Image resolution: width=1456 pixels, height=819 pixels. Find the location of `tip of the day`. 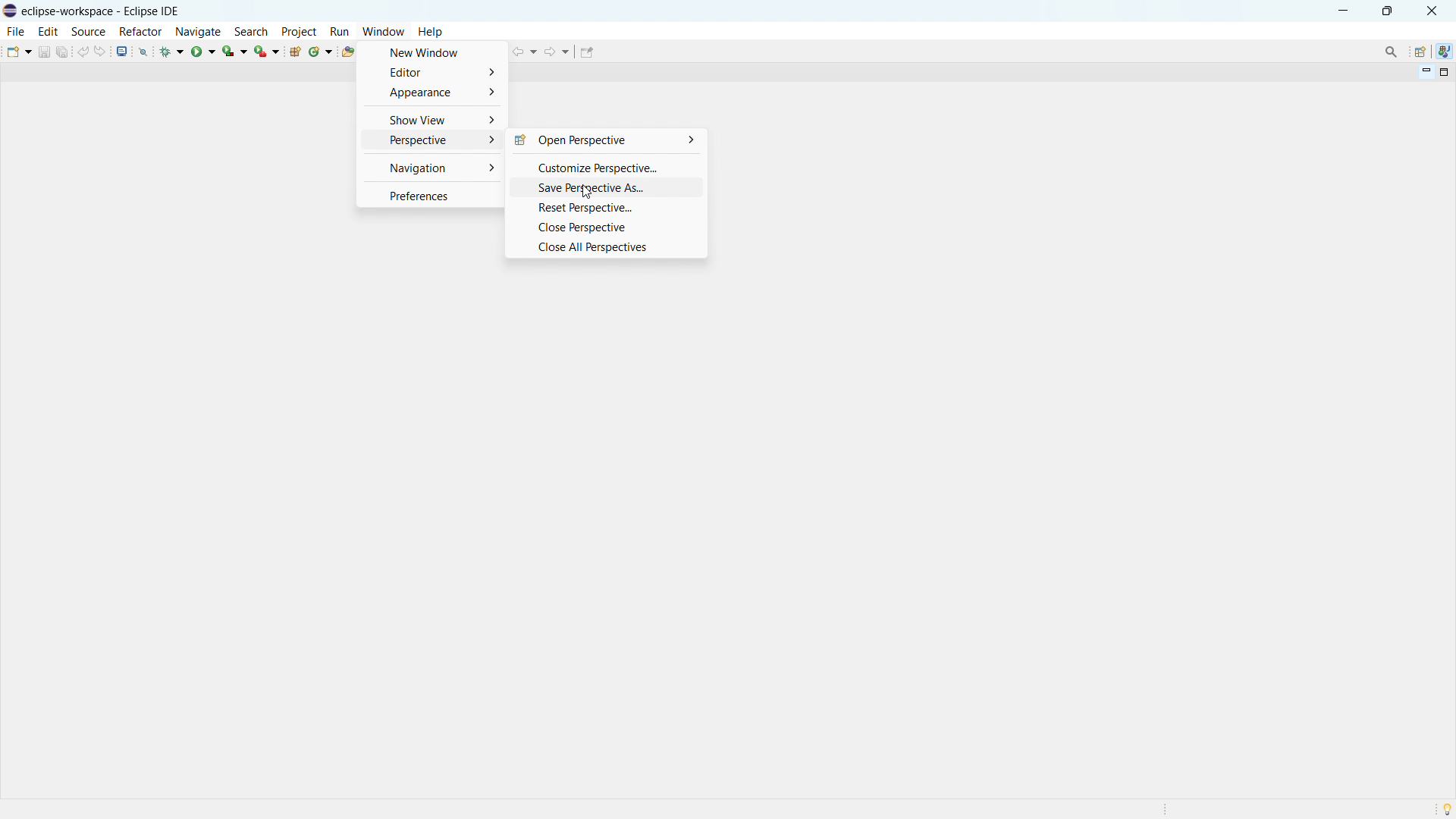

tip of the day is located at coordinates (1447, 809).